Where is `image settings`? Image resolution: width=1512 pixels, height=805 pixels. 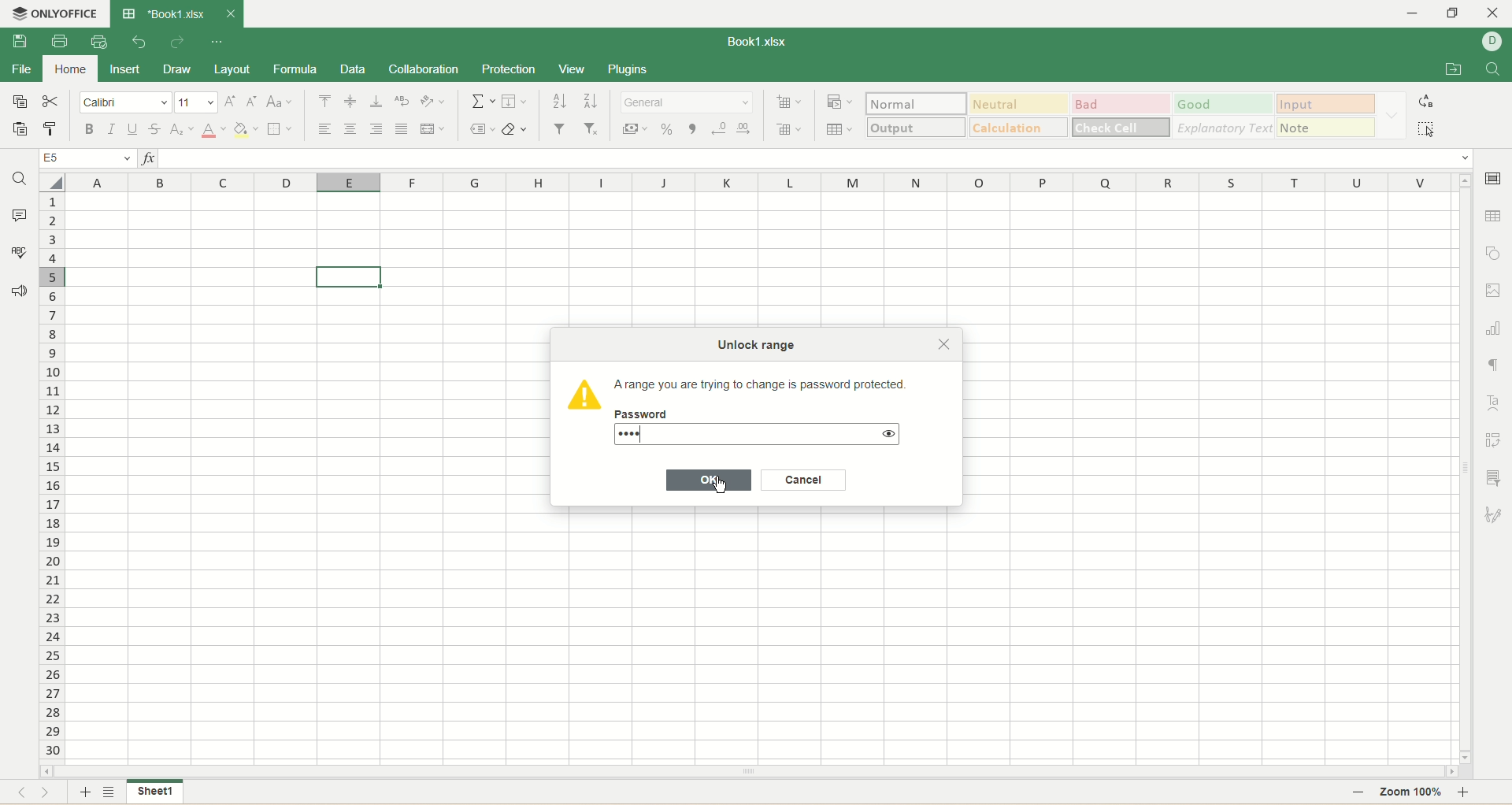 image settings is located at coordinates (1497, 290).